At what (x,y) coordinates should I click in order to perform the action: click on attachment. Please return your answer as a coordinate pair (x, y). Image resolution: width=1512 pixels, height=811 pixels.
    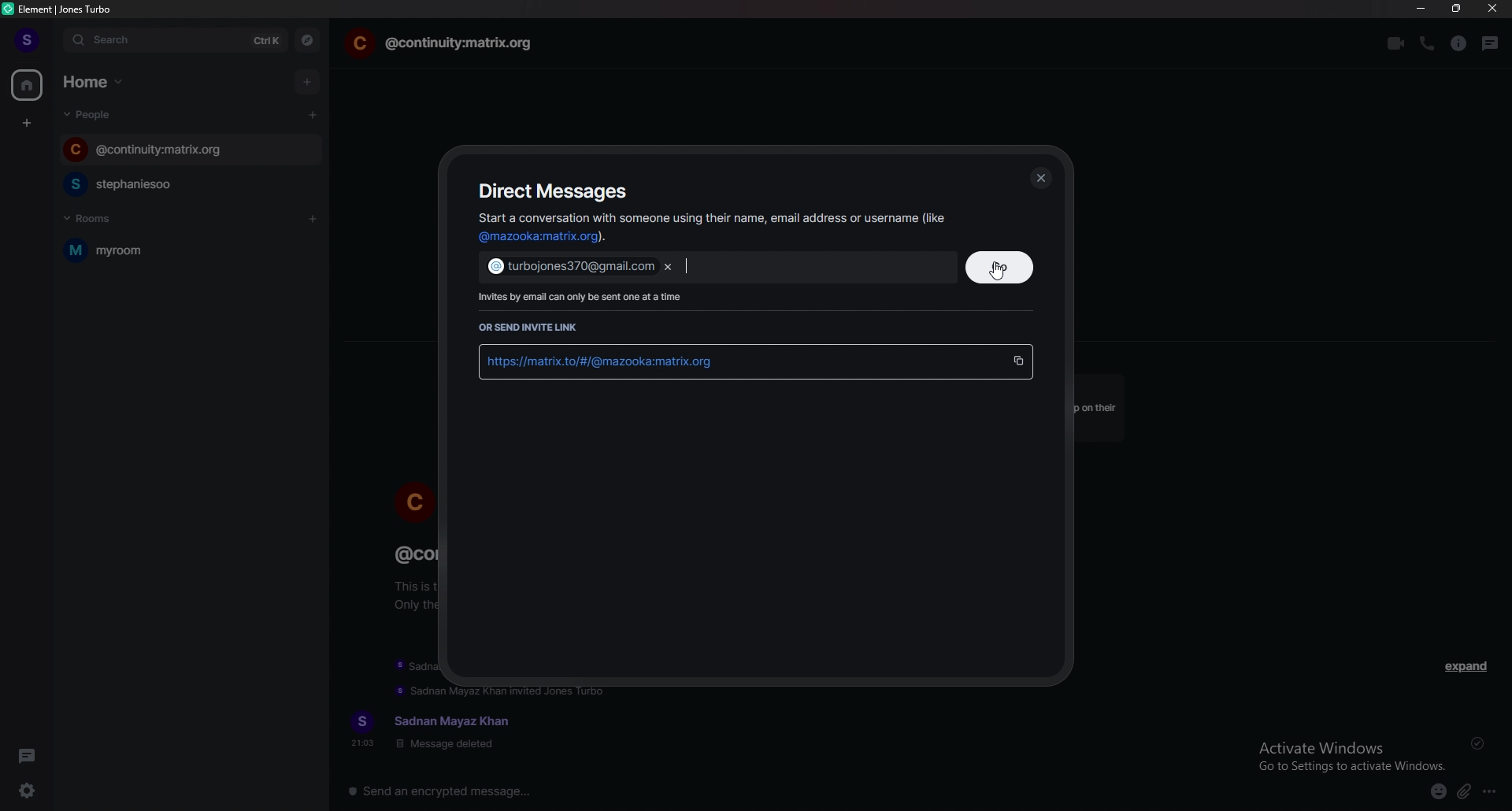
    Looking at the image, I should click on (1464, 792).